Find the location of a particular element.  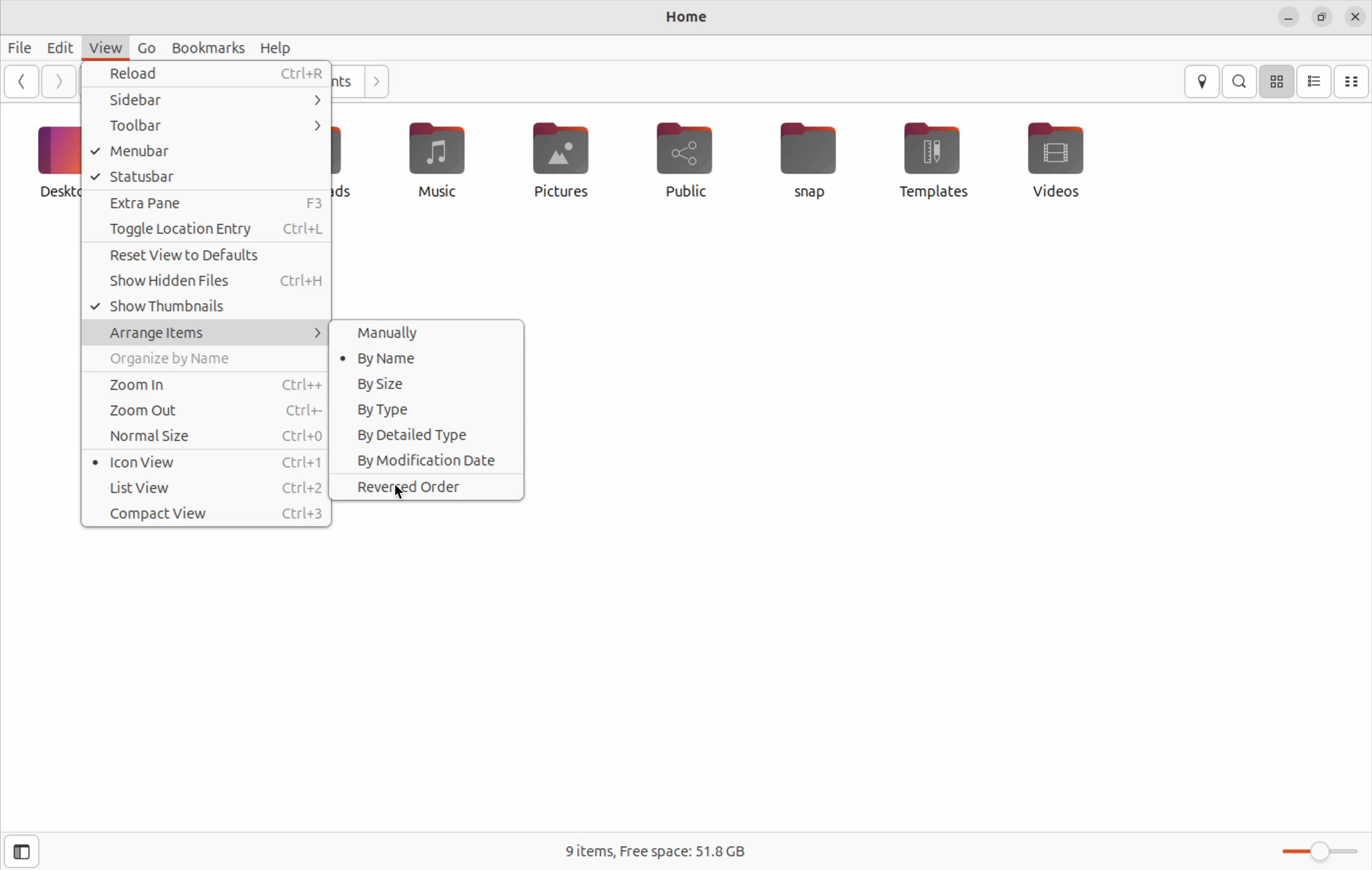

templates is located at coordinates (928, 161).